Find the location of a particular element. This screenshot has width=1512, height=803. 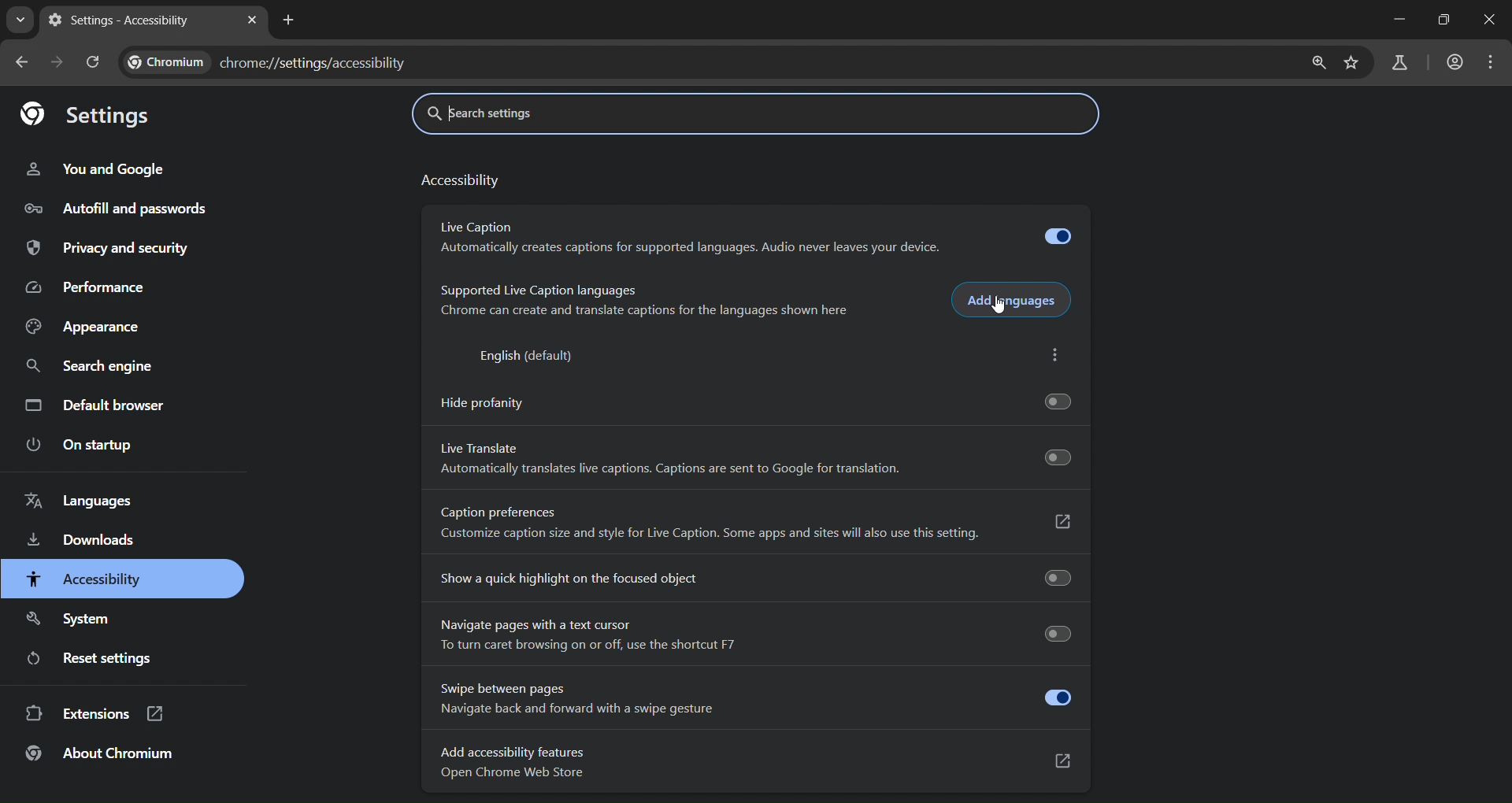

Caption preferences “
Customize caption size and style for Live Caption. Some apps and sites will also use this setting. is located at coordinates (756, 524).